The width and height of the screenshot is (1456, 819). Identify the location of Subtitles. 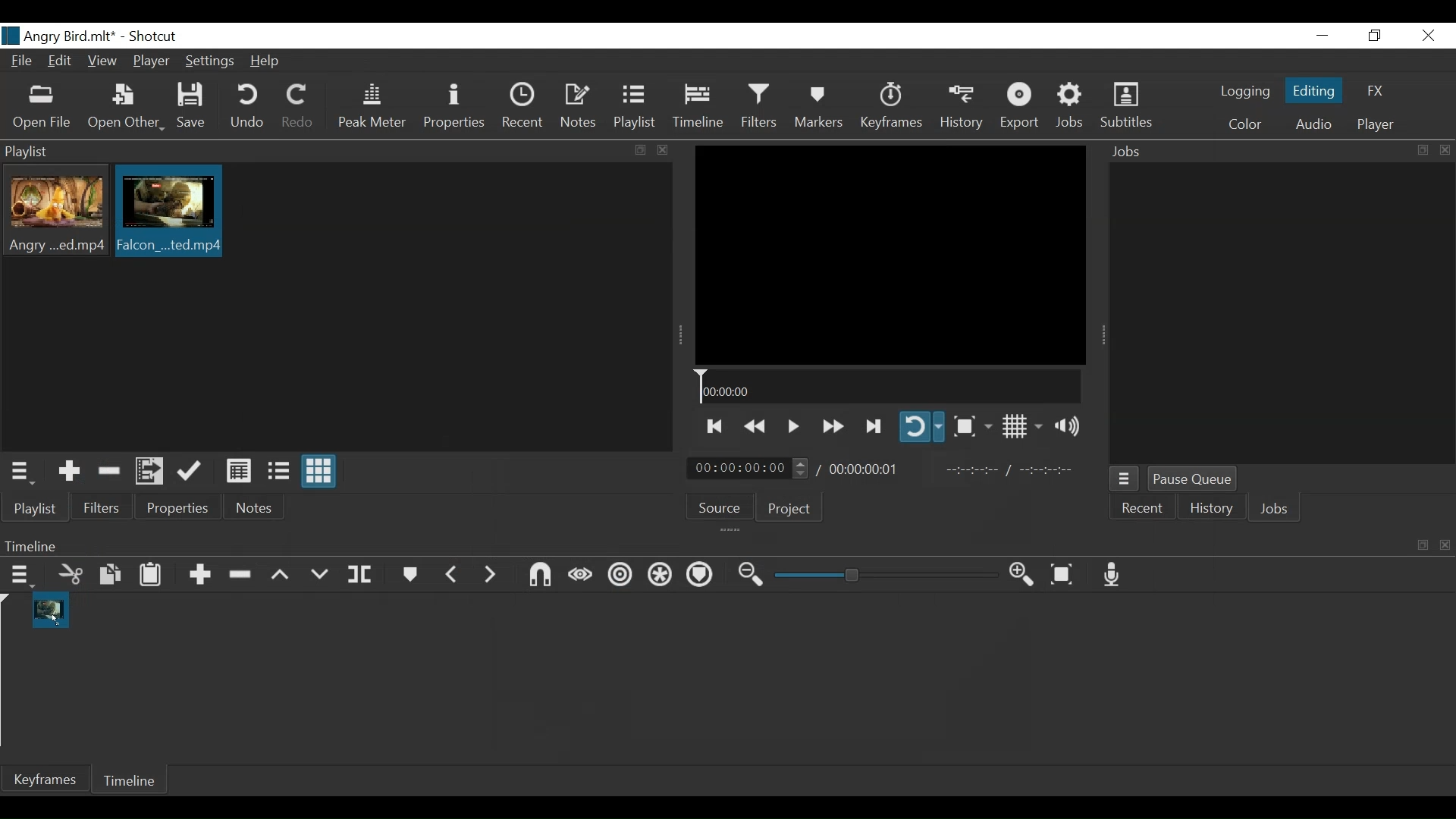
(1126, 105).